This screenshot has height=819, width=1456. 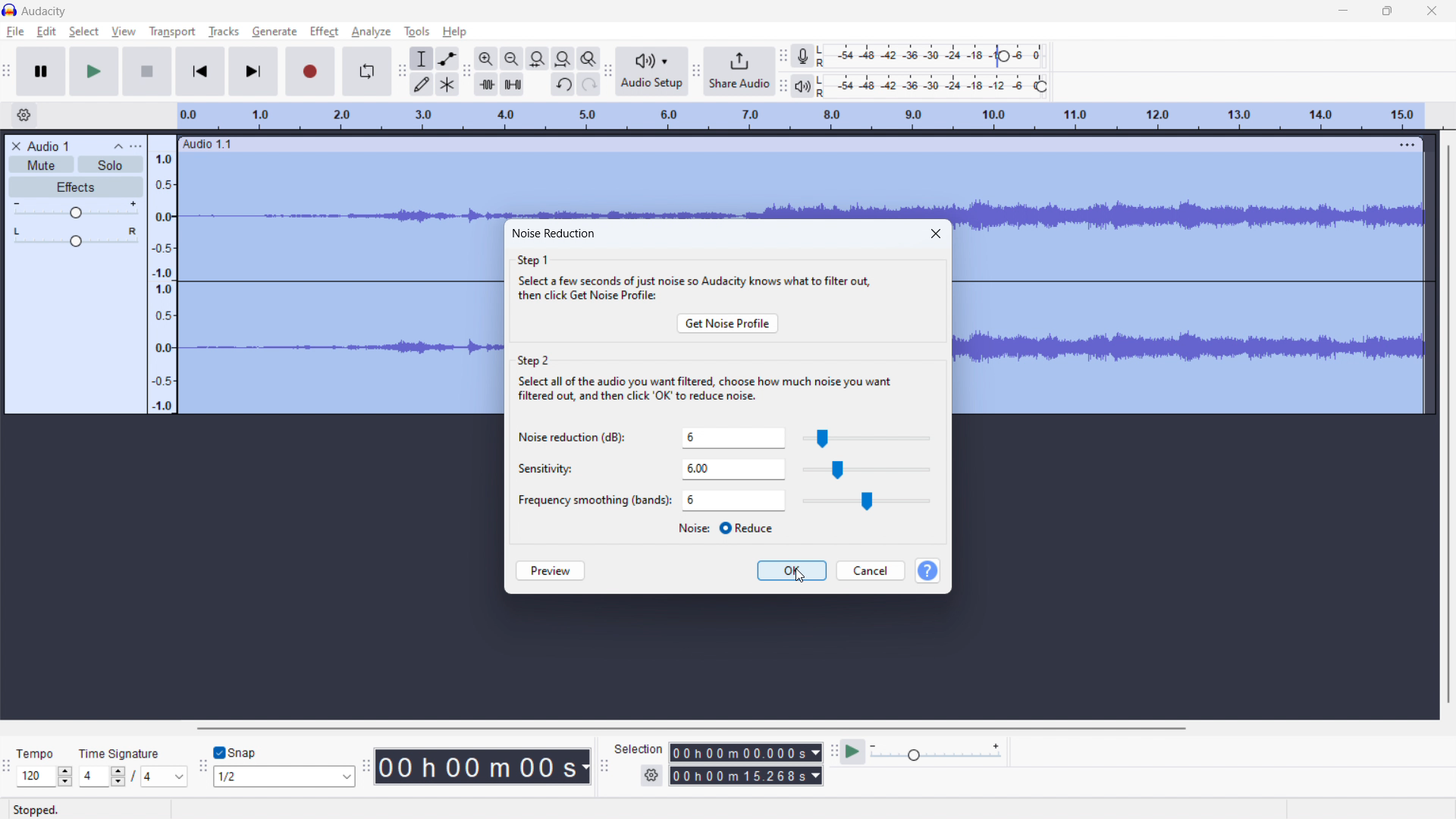 I want to click on help, so click(x=927, y=571).